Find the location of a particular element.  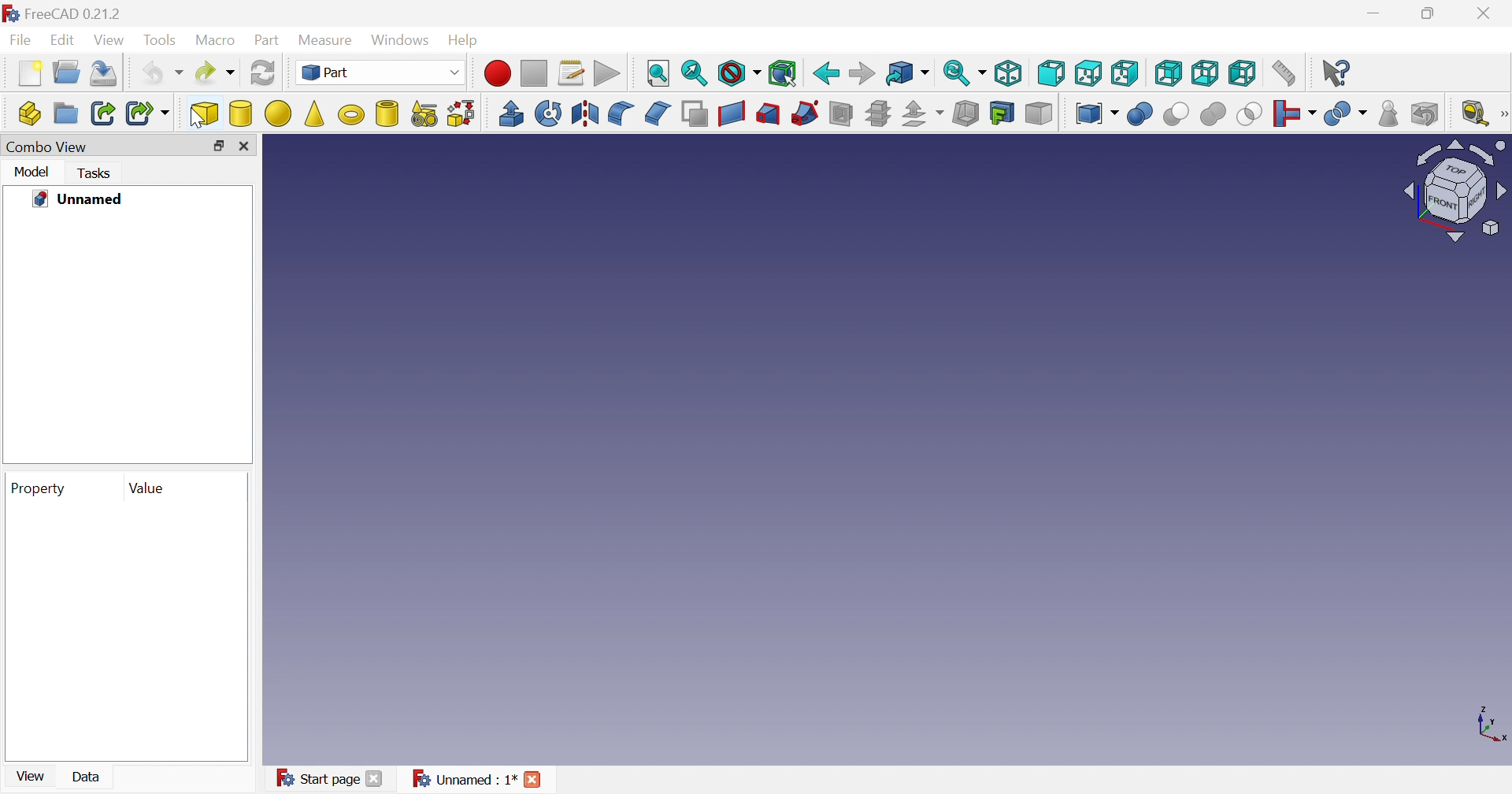

Make face from wires is located at coordinates (694, 114).